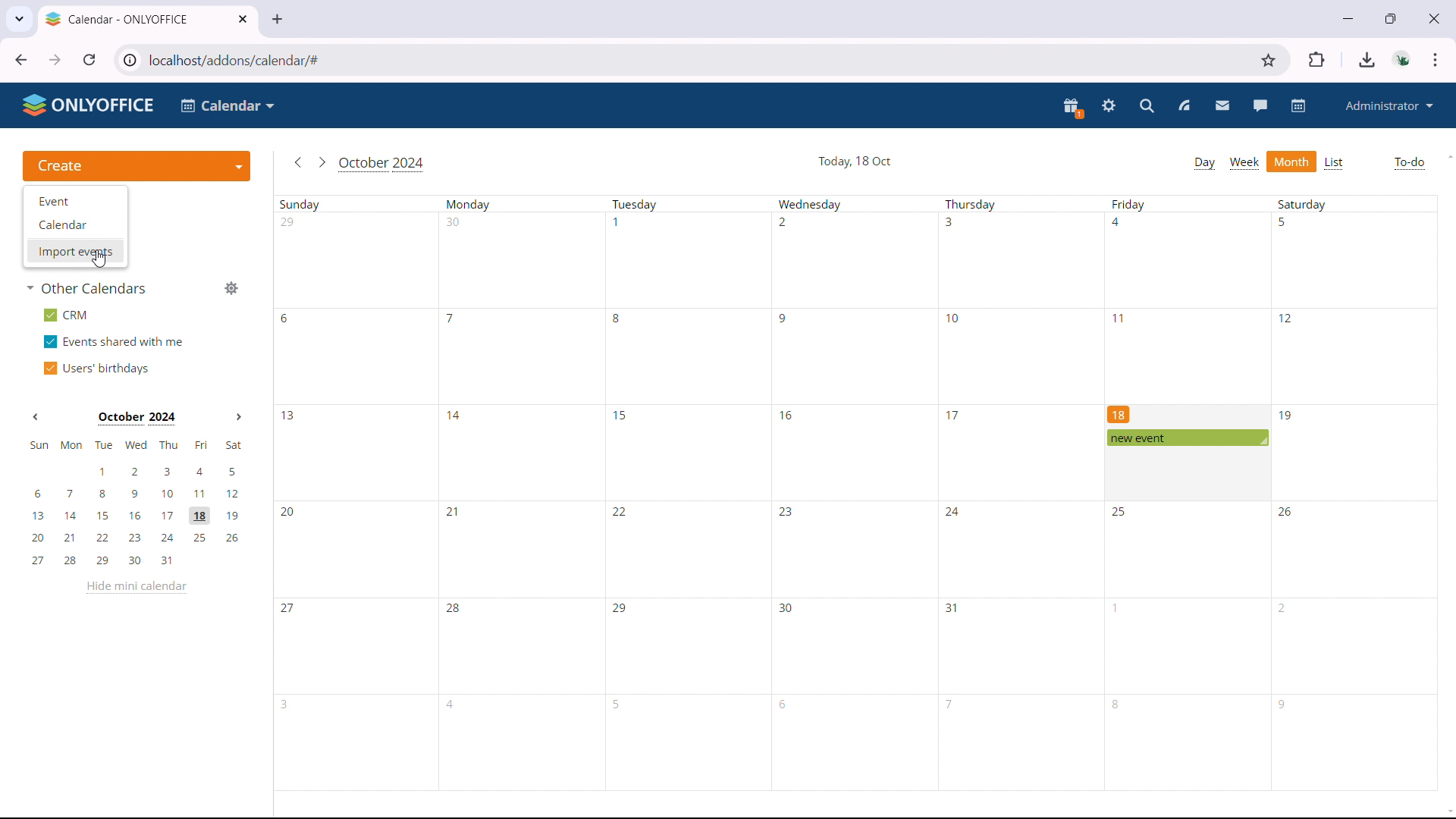  Describe the element at coordinates (1117, 704) in the screenshot. I see `8` at that location.